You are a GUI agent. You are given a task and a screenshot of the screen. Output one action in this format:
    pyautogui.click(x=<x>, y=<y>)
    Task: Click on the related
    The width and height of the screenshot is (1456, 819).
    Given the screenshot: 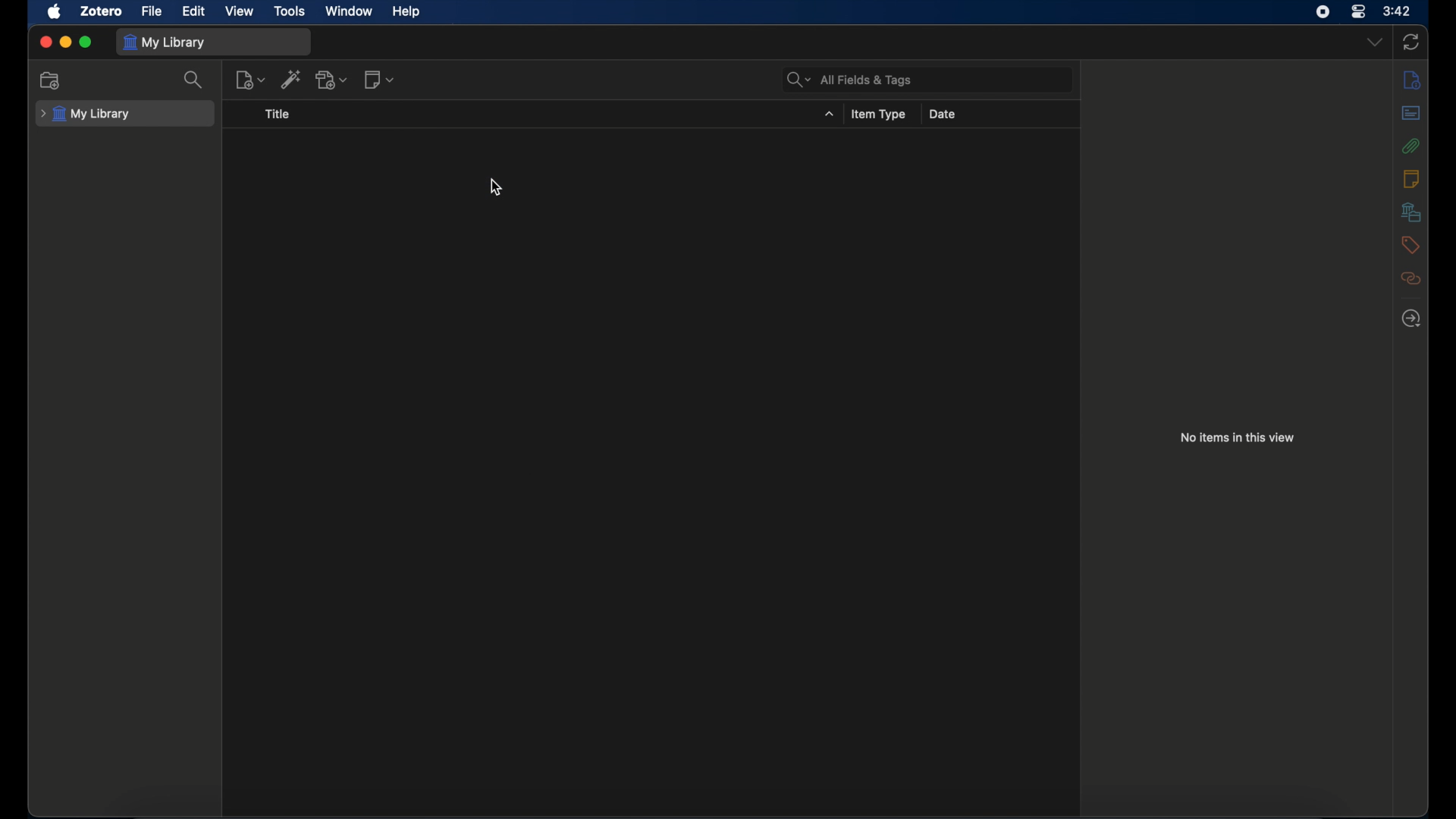 What is the action you would take?
    pyautogui.click(x=1410, y=278)
    